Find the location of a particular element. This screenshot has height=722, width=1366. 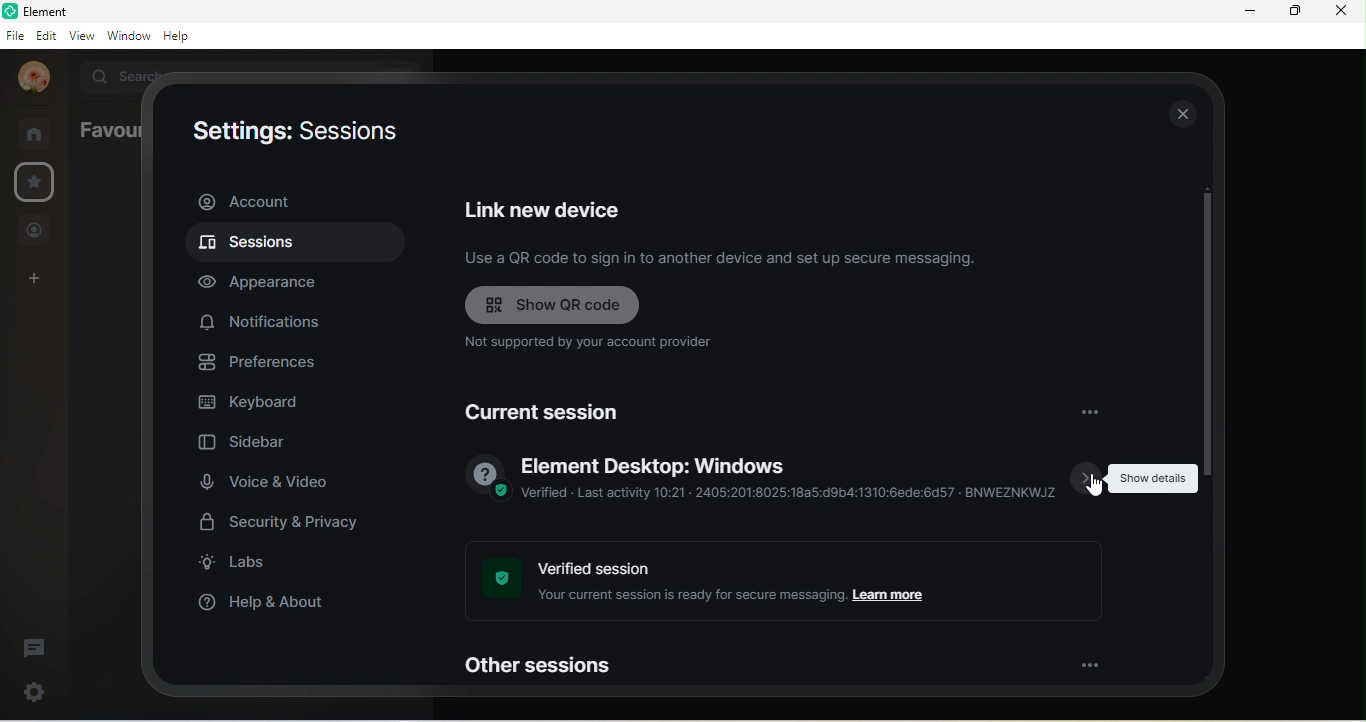

maximize is located at coordinates (1293, 10).